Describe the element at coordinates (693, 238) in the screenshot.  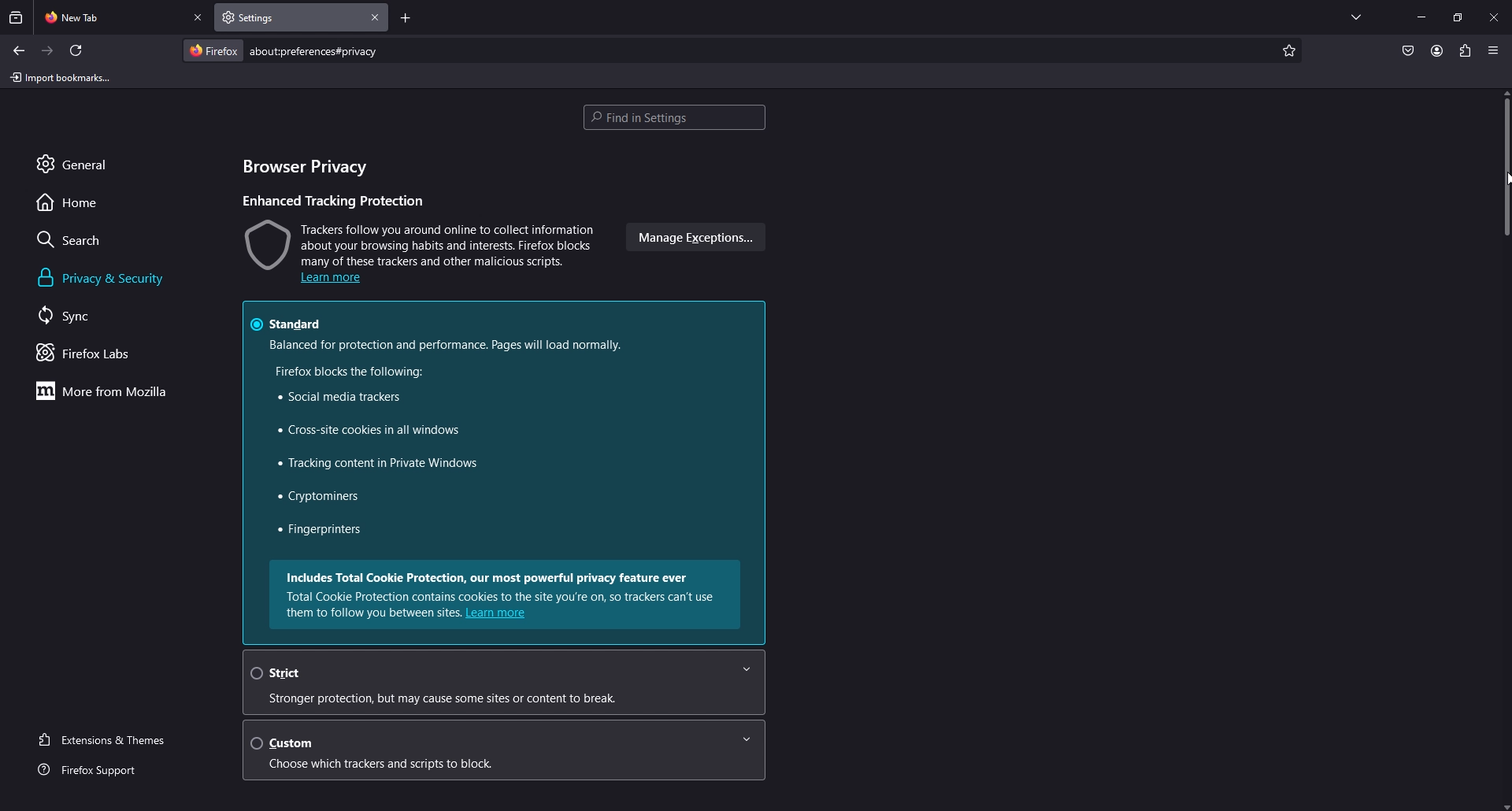
I see `manage extensions` at that location.